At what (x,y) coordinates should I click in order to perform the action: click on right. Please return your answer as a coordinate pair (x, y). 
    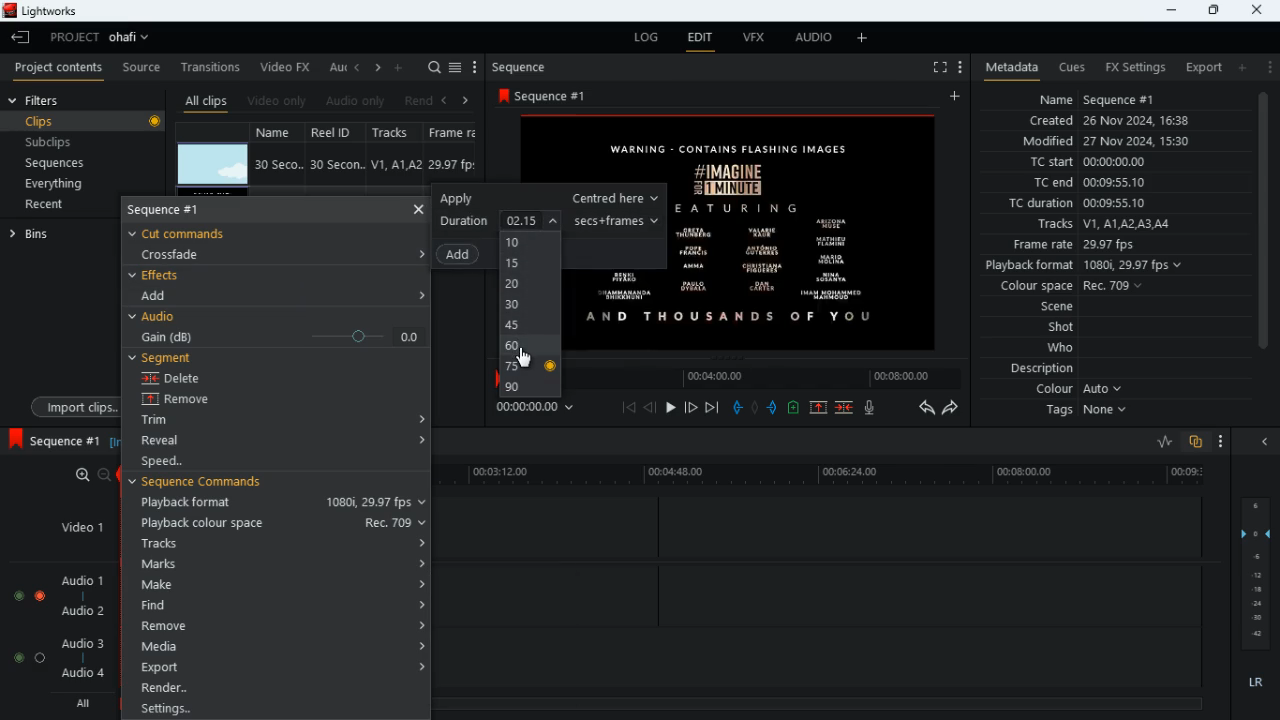
    Looking at the image, I should click on (466, 100).